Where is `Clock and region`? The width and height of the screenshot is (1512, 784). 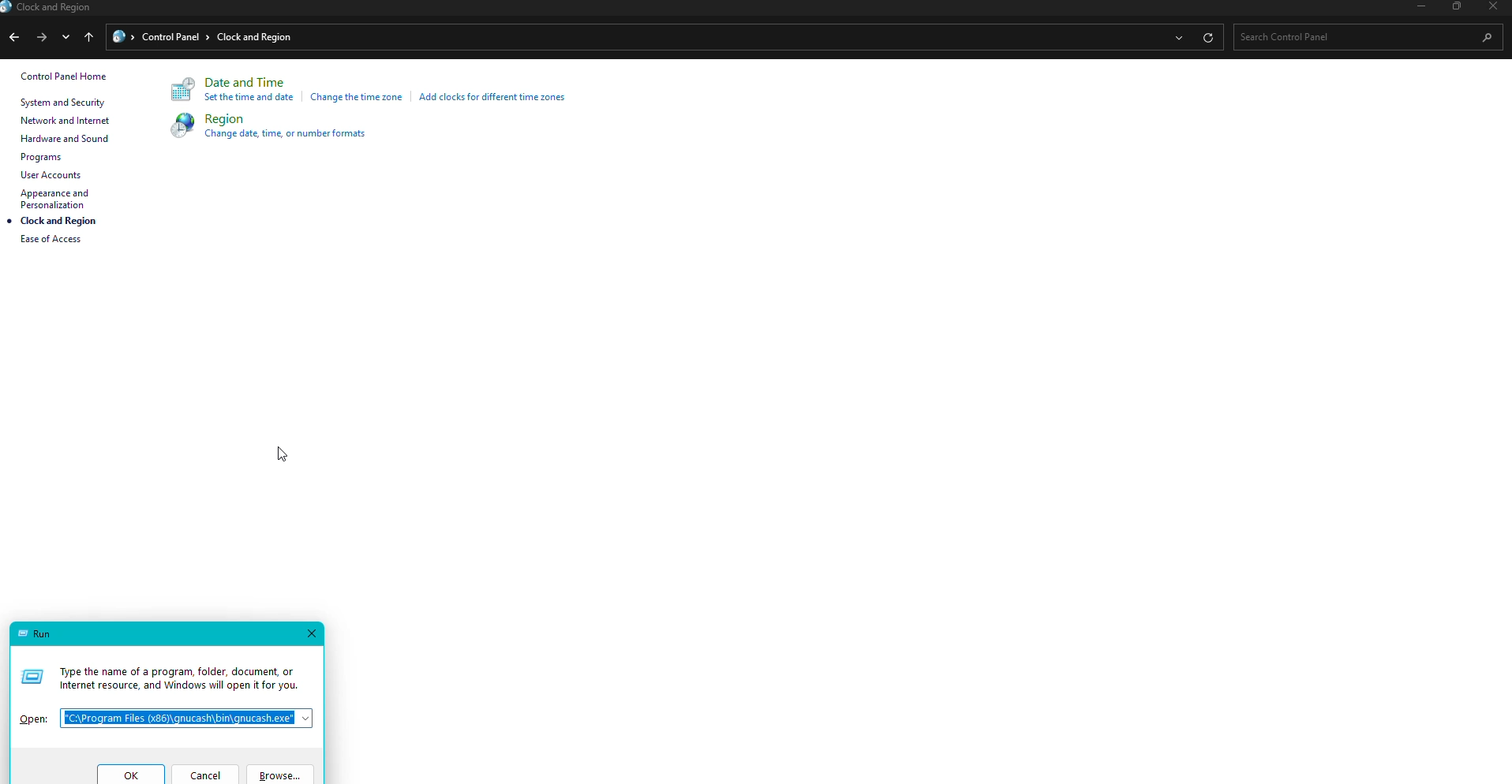 Clock and region is located at coordinates (60, 222).